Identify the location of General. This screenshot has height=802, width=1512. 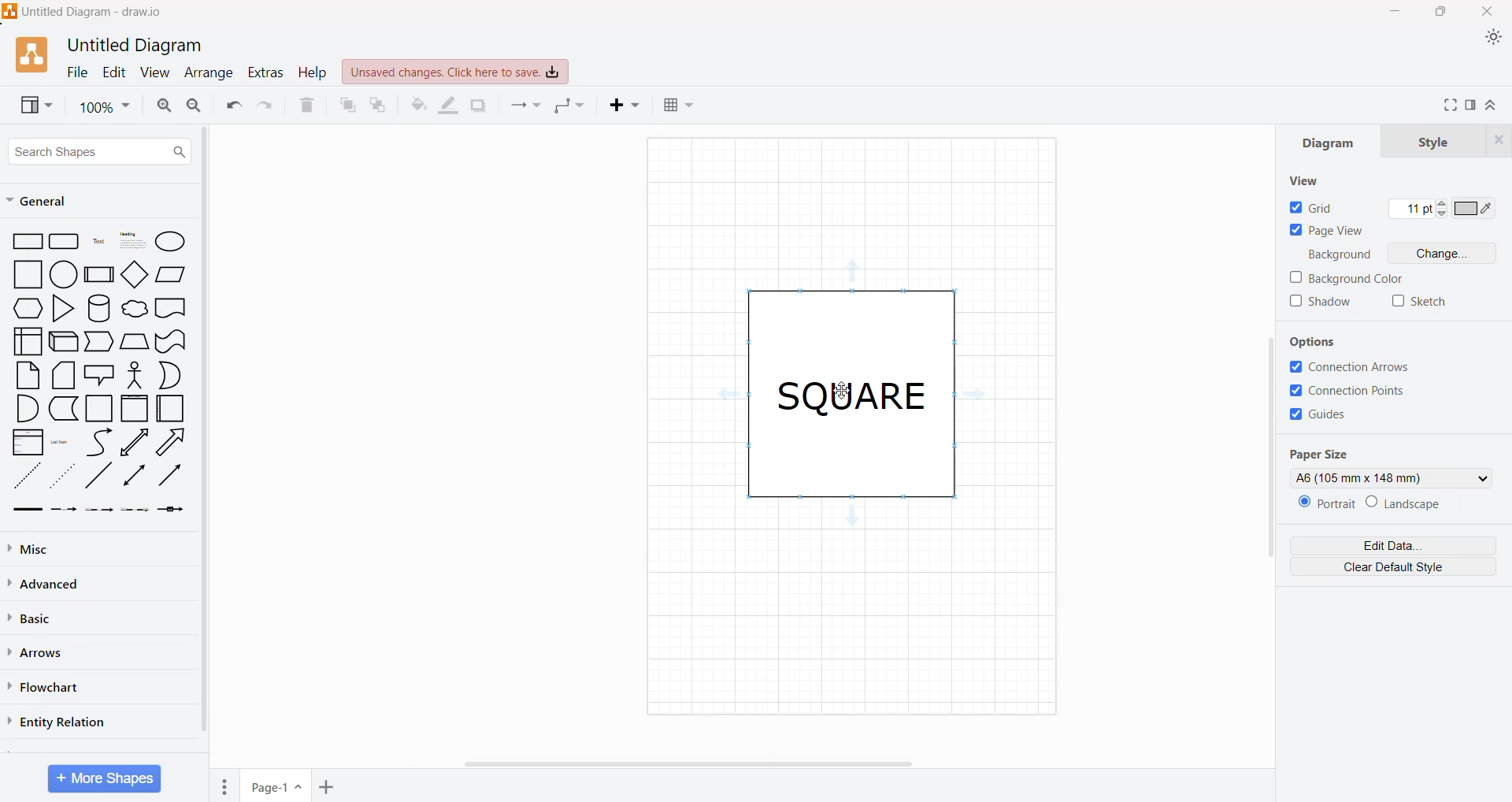
(45, 202).